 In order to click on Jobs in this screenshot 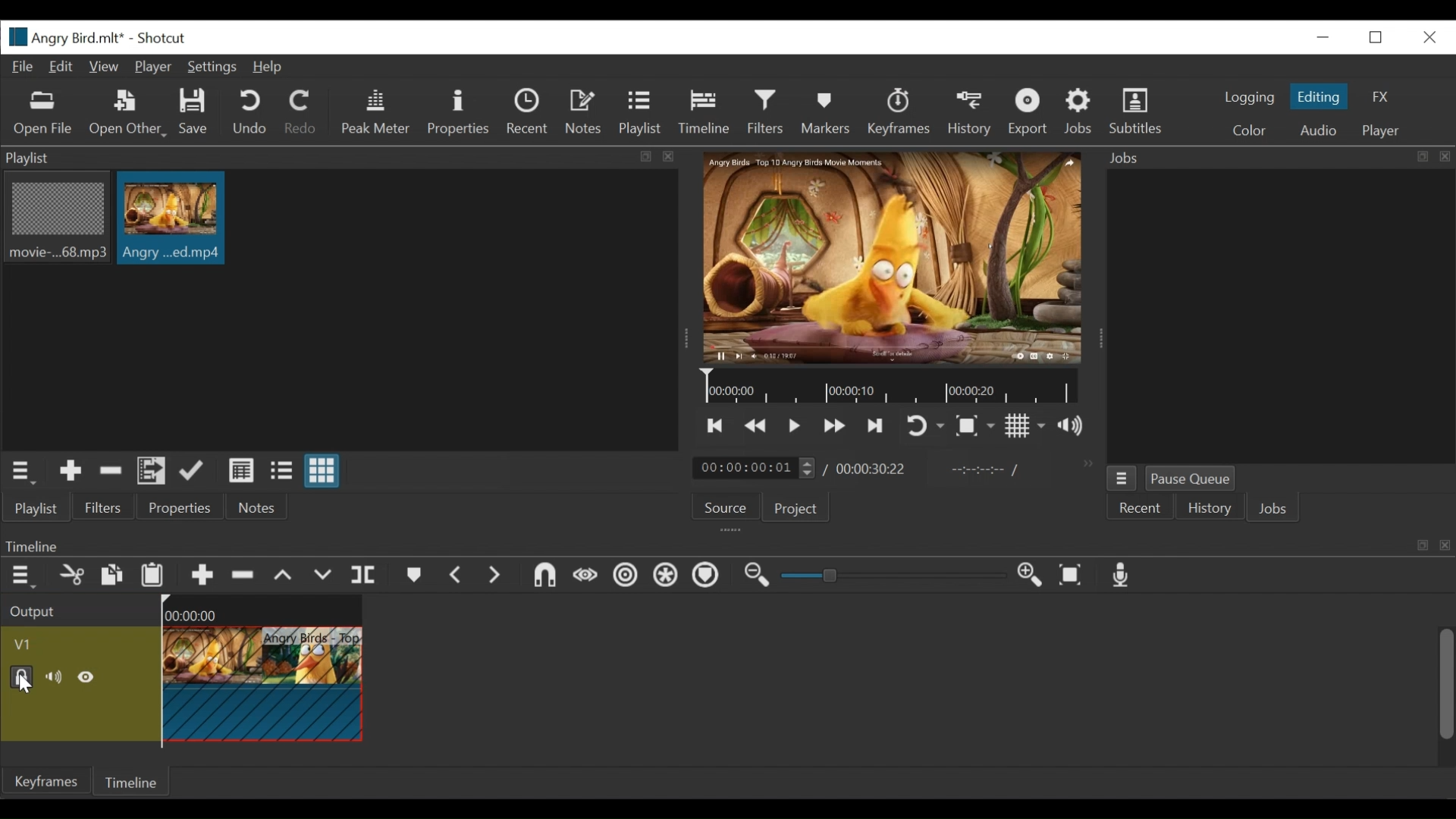, I will do `click(1276, 508)`.